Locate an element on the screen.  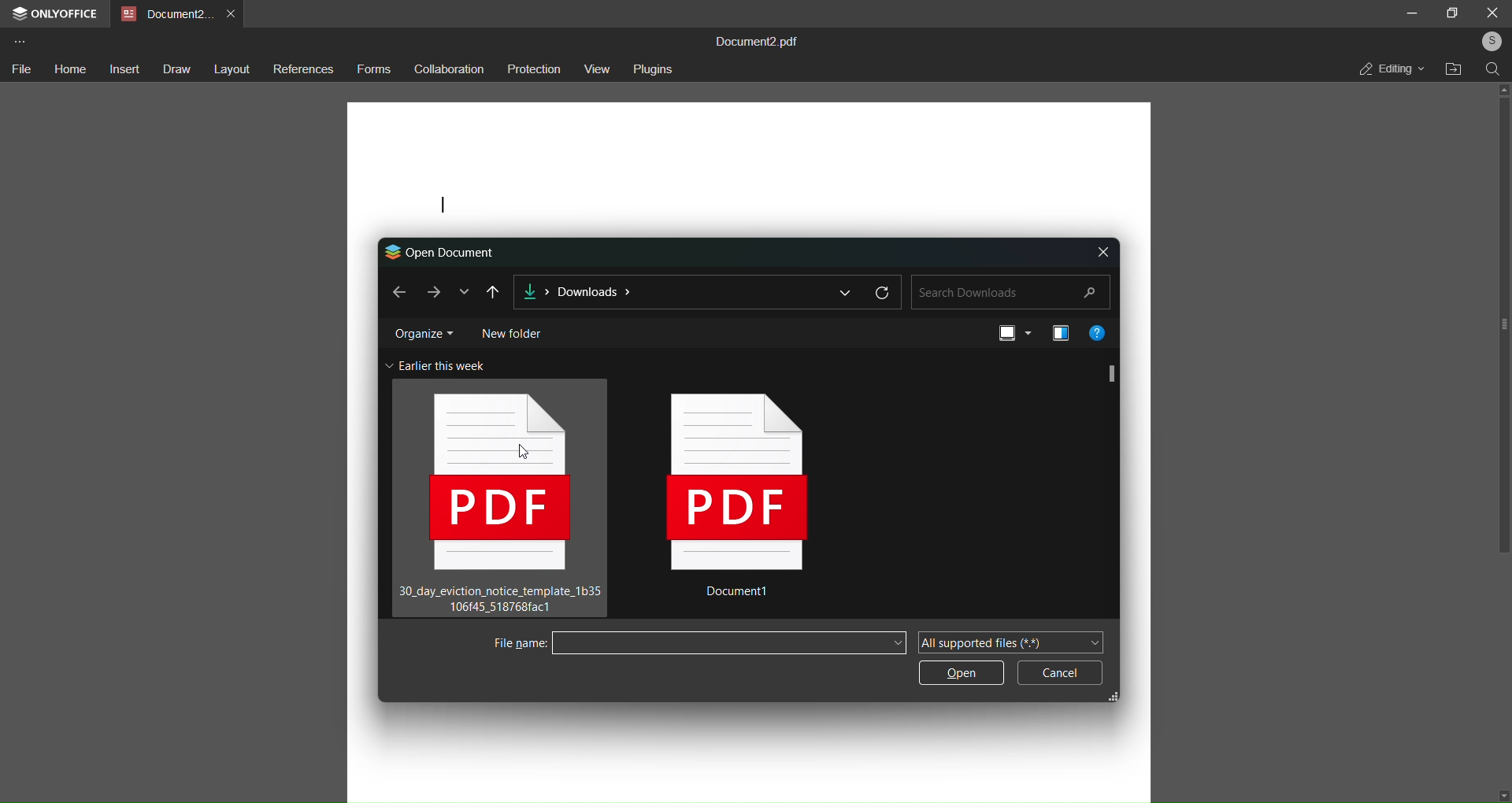
layout is located at coordinates (232, 70).